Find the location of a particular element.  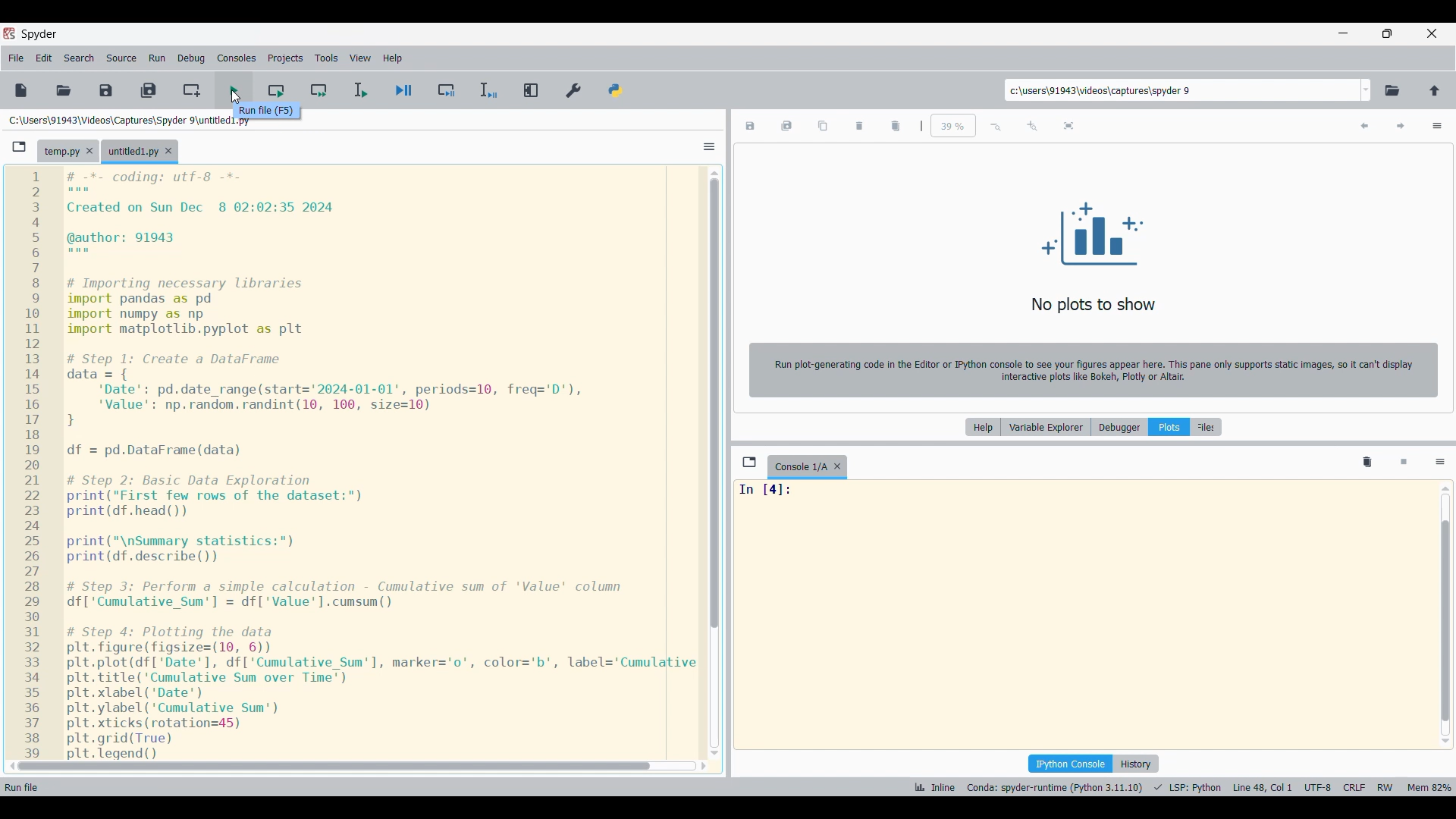

Highlighted by cursor is located at coordinates (234, 86).